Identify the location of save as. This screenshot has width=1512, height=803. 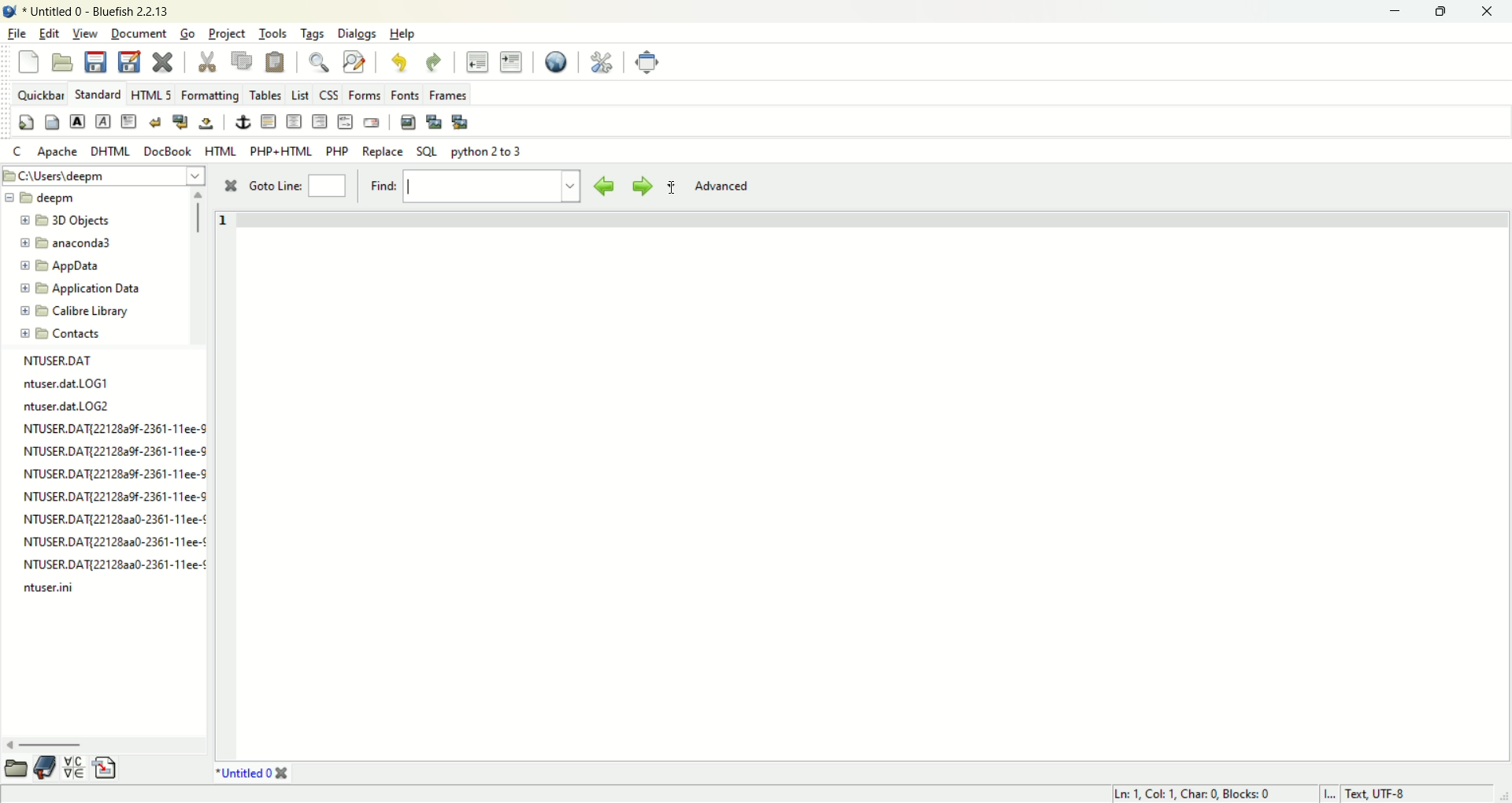
(128, 62).